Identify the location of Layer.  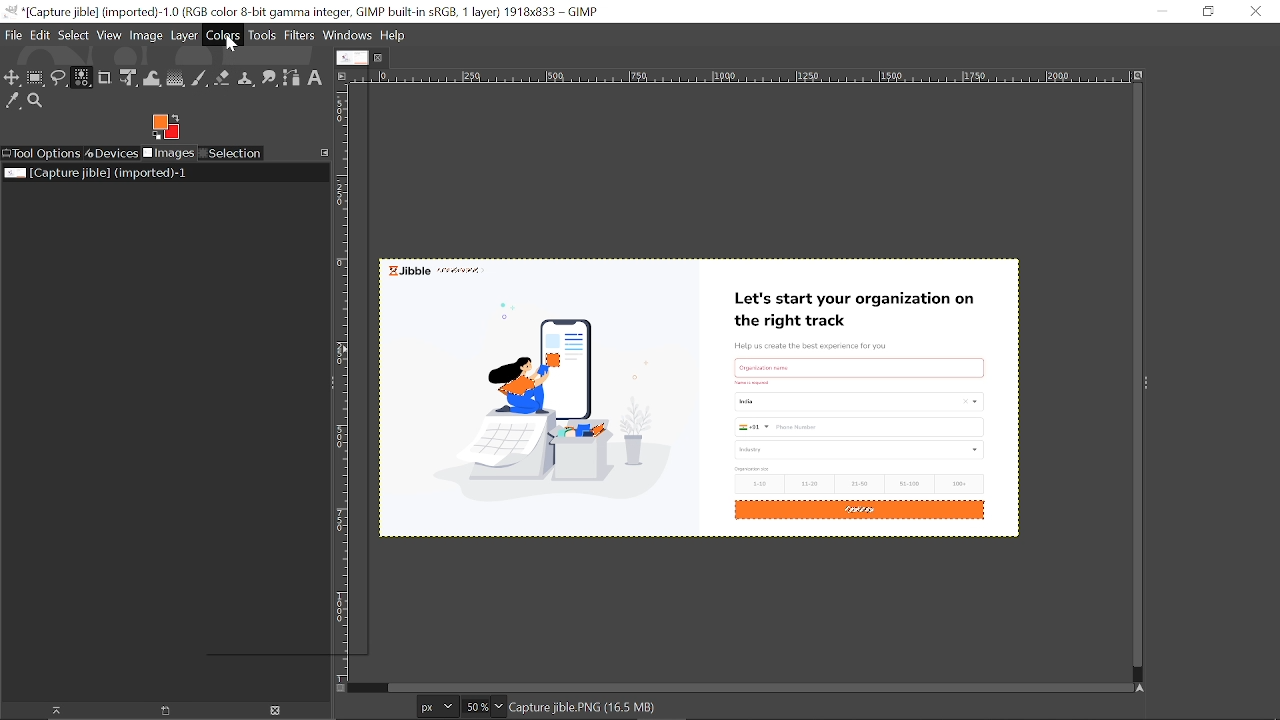
(184, 35).